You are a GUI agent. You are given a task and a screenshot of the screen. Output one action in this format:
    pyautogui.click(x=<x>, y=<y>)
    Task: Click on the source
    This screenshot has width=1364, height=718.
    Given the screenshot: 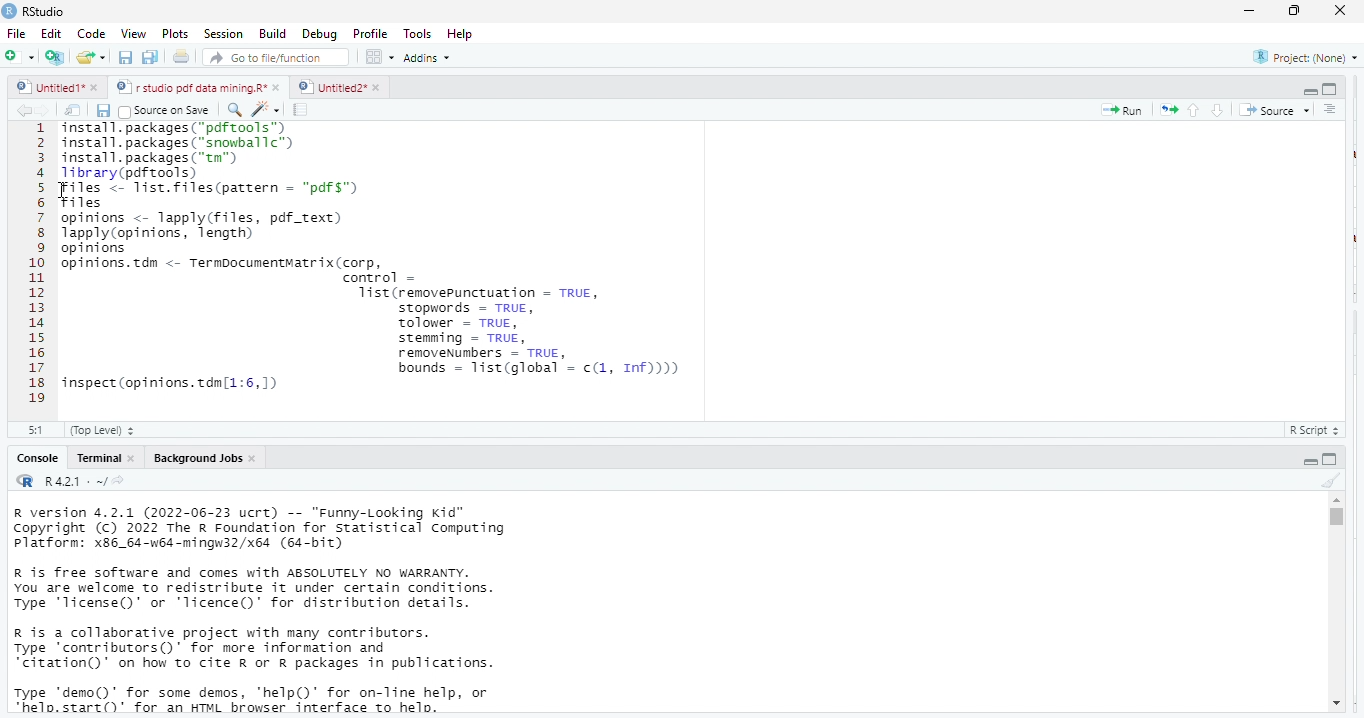 What is the action you would take?
    pyautogui.click(x=1272, y=110)
    